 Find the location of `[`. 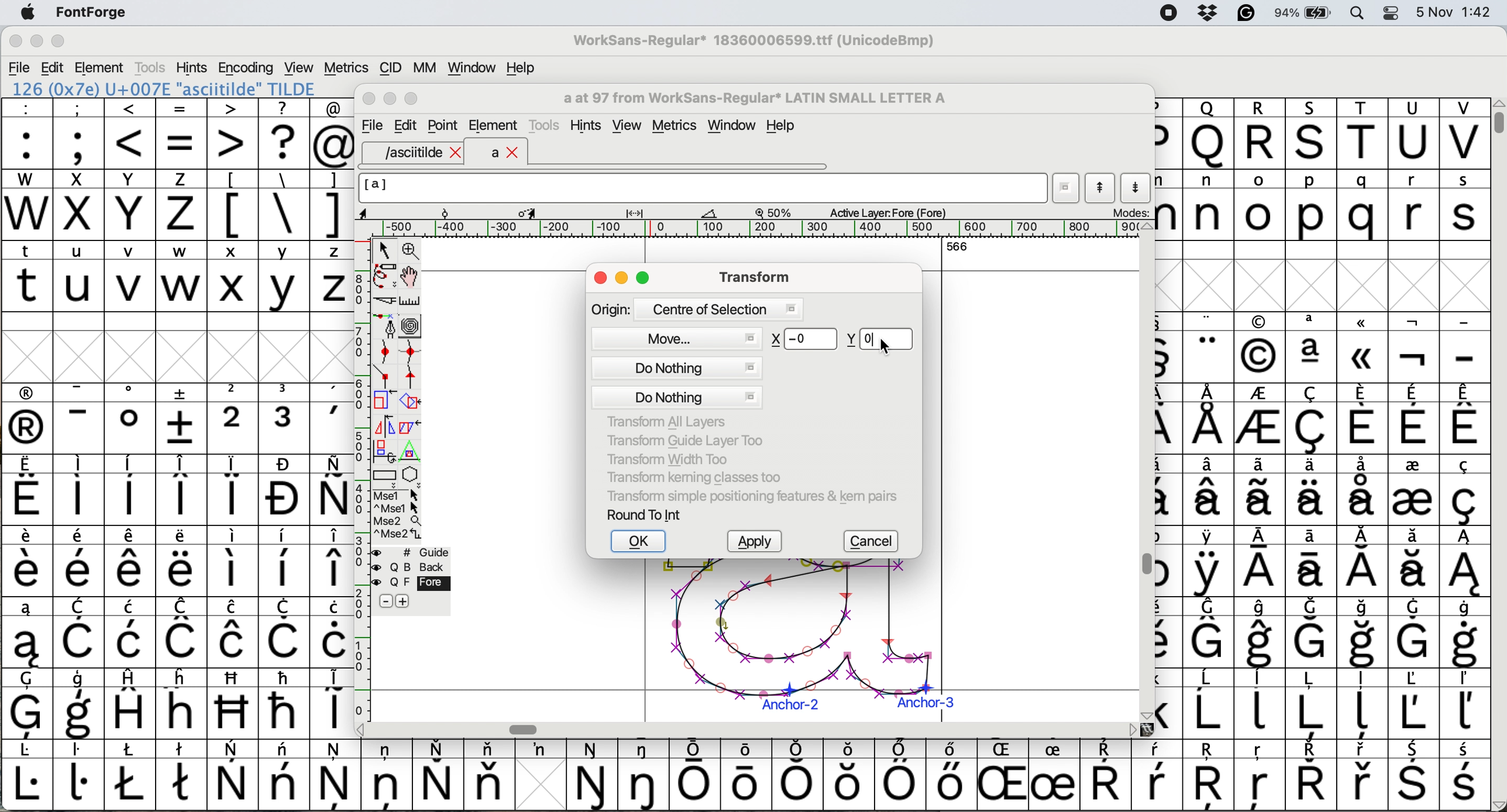

[ is located at coordinates (233, 205).